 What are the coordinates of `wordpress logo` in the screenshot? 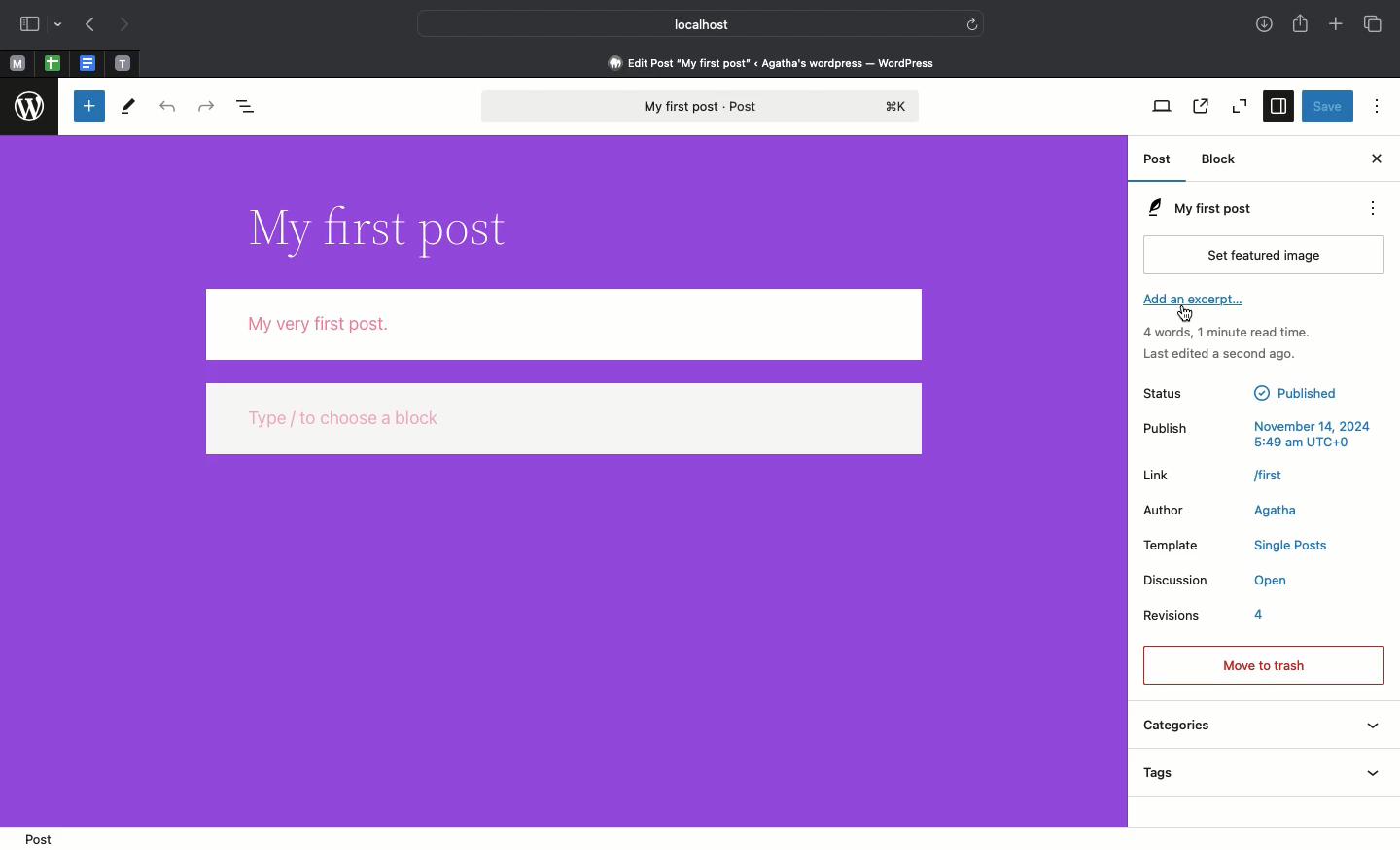 It's located at (31, 107).